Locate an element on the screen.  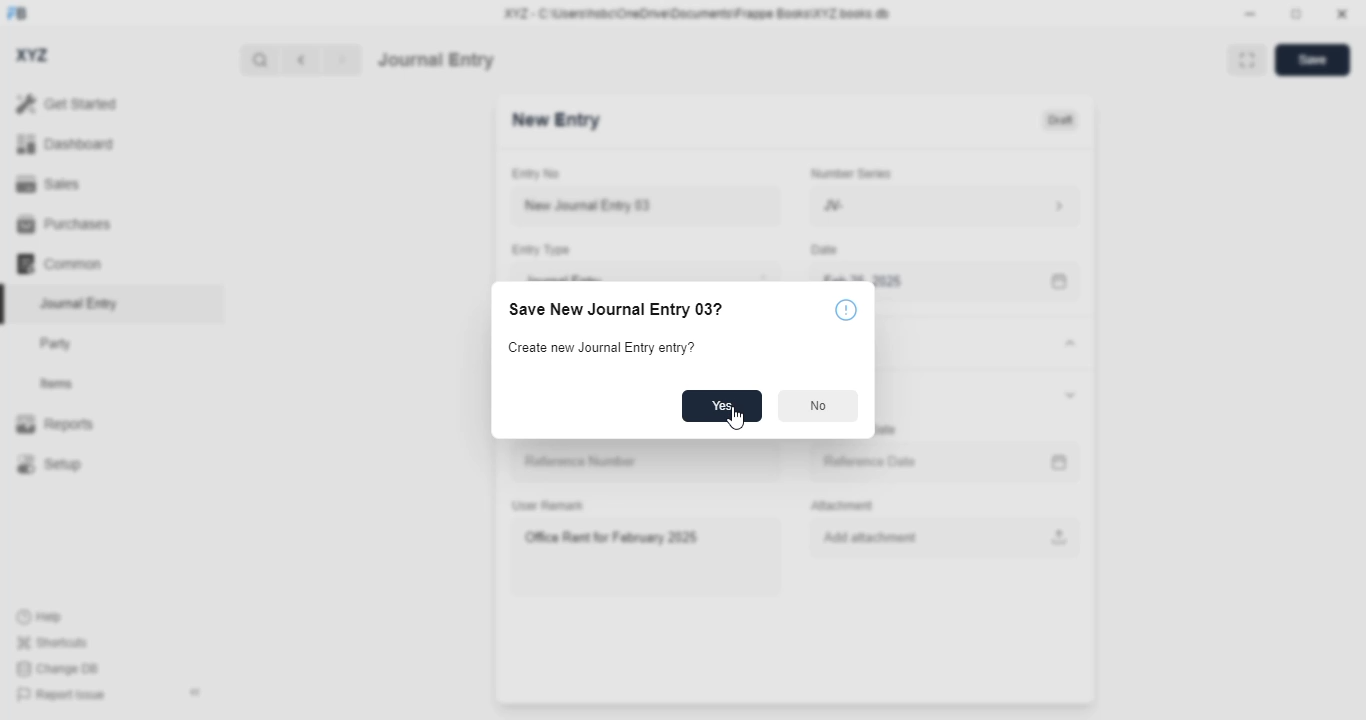
user remark is located at coordinates (548, 505).